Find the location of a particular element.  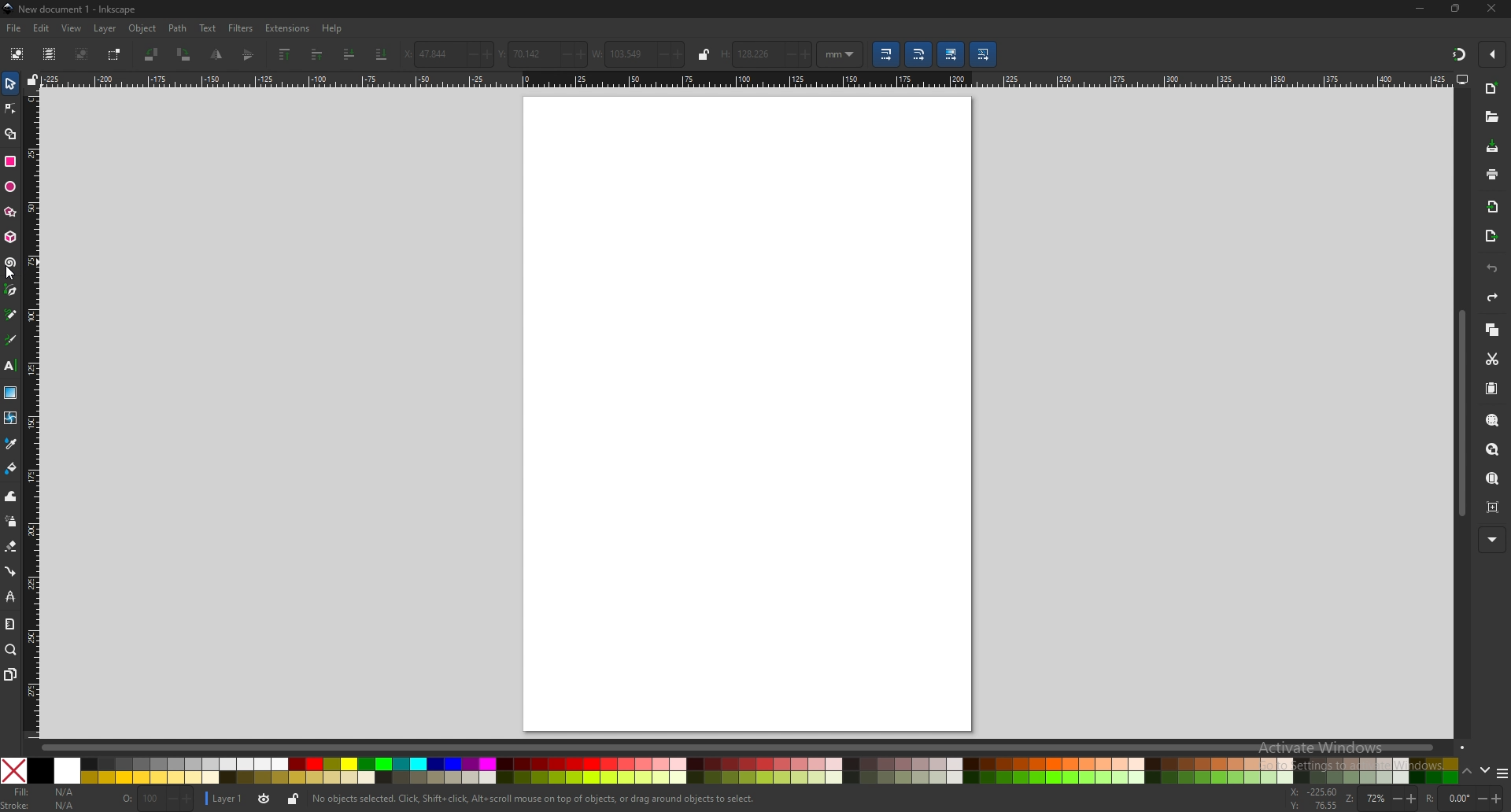

scroll bar is located at coordinates (752, 747).